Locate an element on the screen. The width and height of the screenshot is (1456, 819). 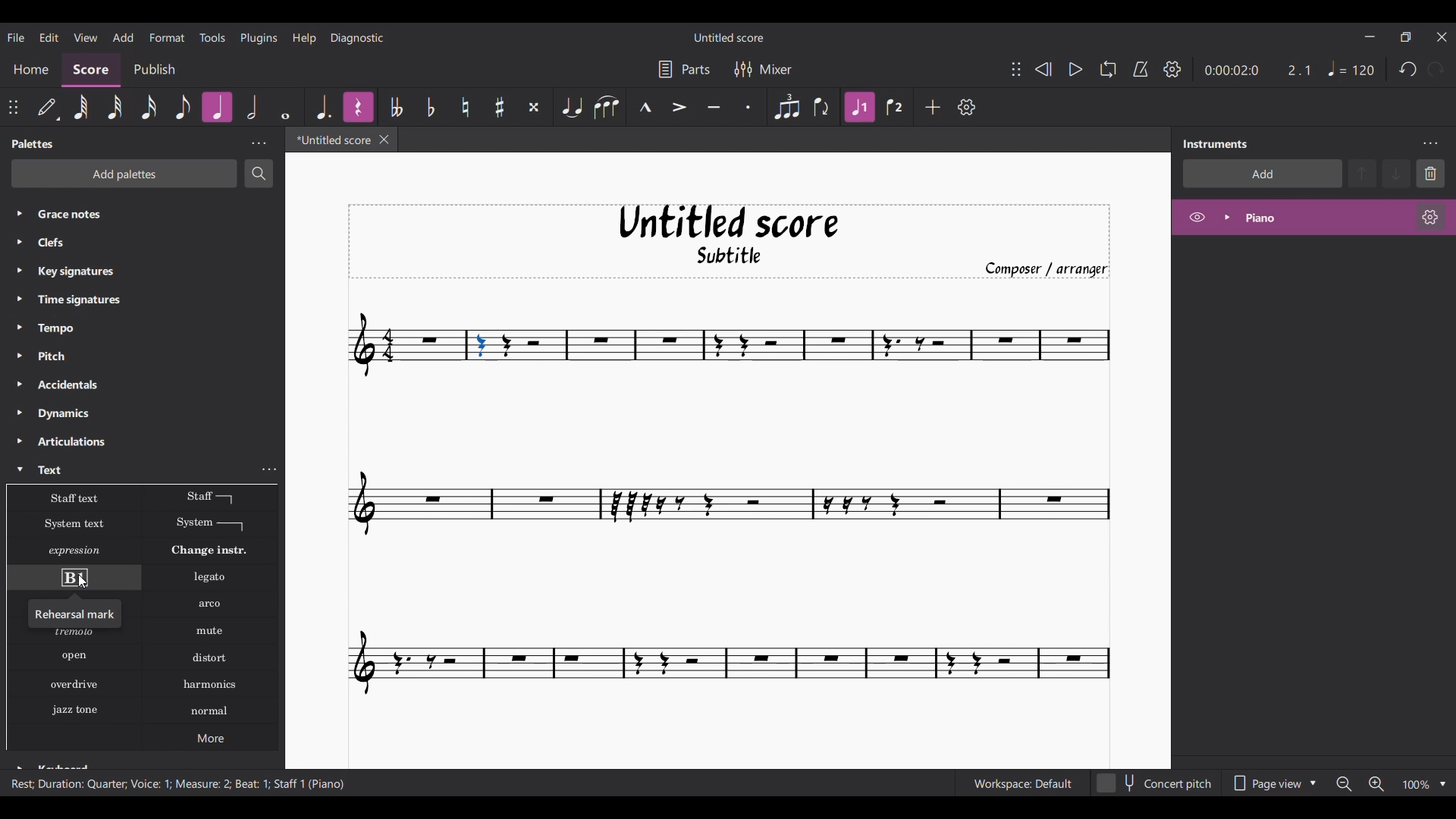
View menu is located at coordinates (86, 38).